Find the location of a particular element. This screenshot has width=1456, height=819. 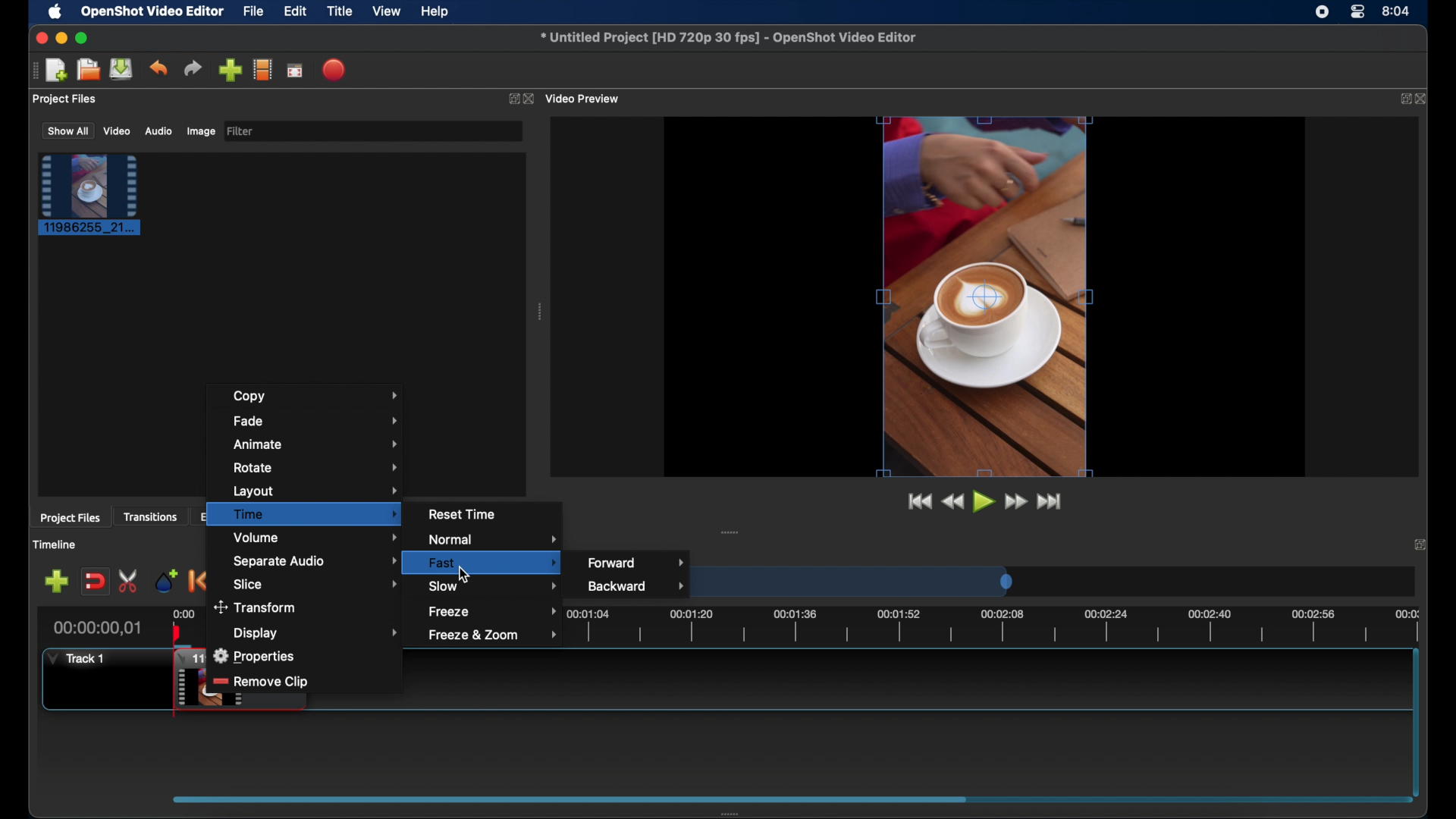

full screen is located at coordinates (295, 69).